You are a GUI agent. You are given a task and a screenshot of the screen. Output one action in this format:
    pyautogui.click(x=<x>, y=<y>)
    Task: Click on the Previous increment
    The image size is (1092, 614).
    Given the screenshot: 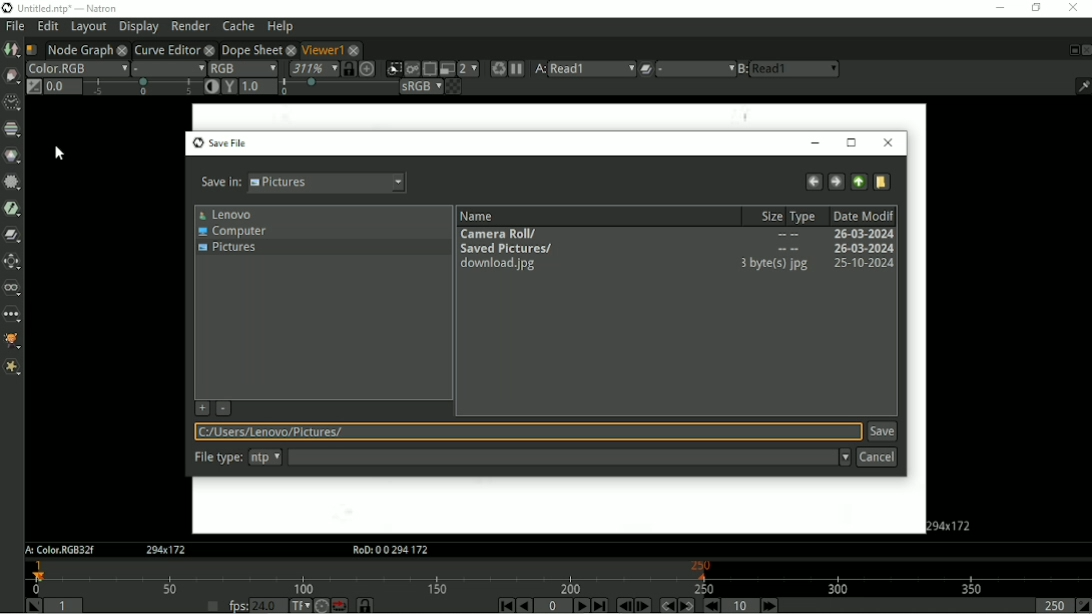 What is the action you would take?
    pyautogui.click(x=711, y=606)
    